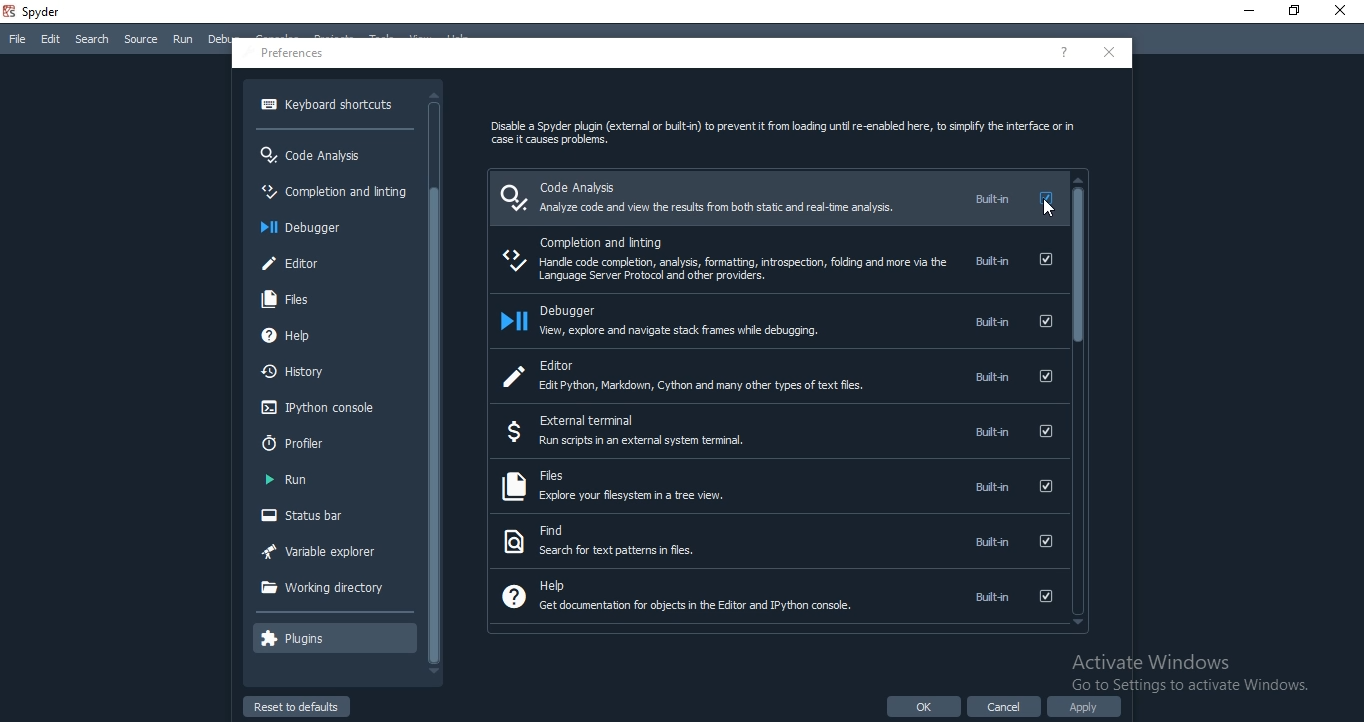 The height and width of the screenshot is (722, 1364). I want to click on editor, so click(781, 373).